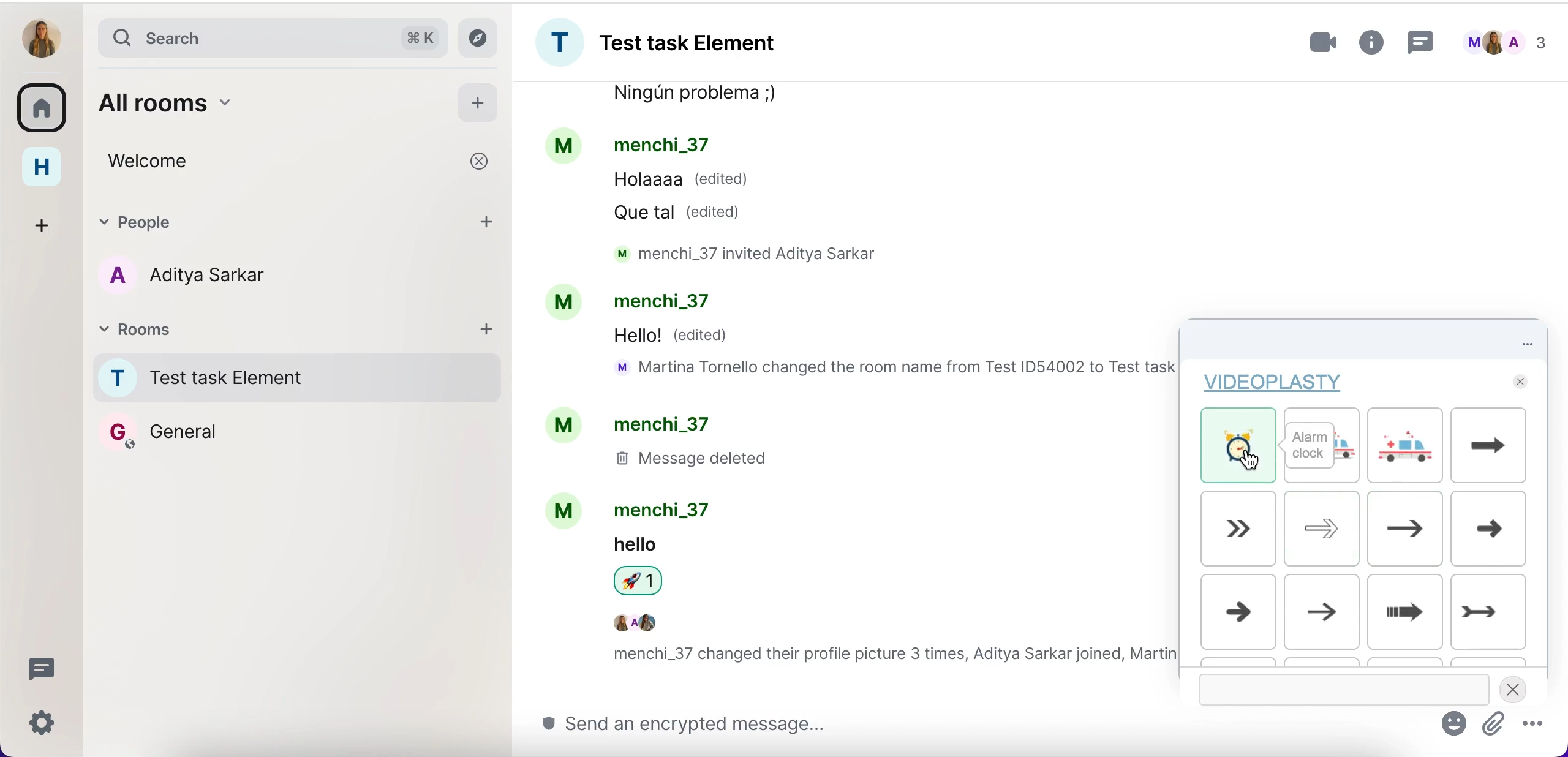 The height and width of the screenshot is (757, 1568). What do you see at coordinates (1421, 40) in the screenshot?
I see `threads ` at bounding box center [1421, 40].